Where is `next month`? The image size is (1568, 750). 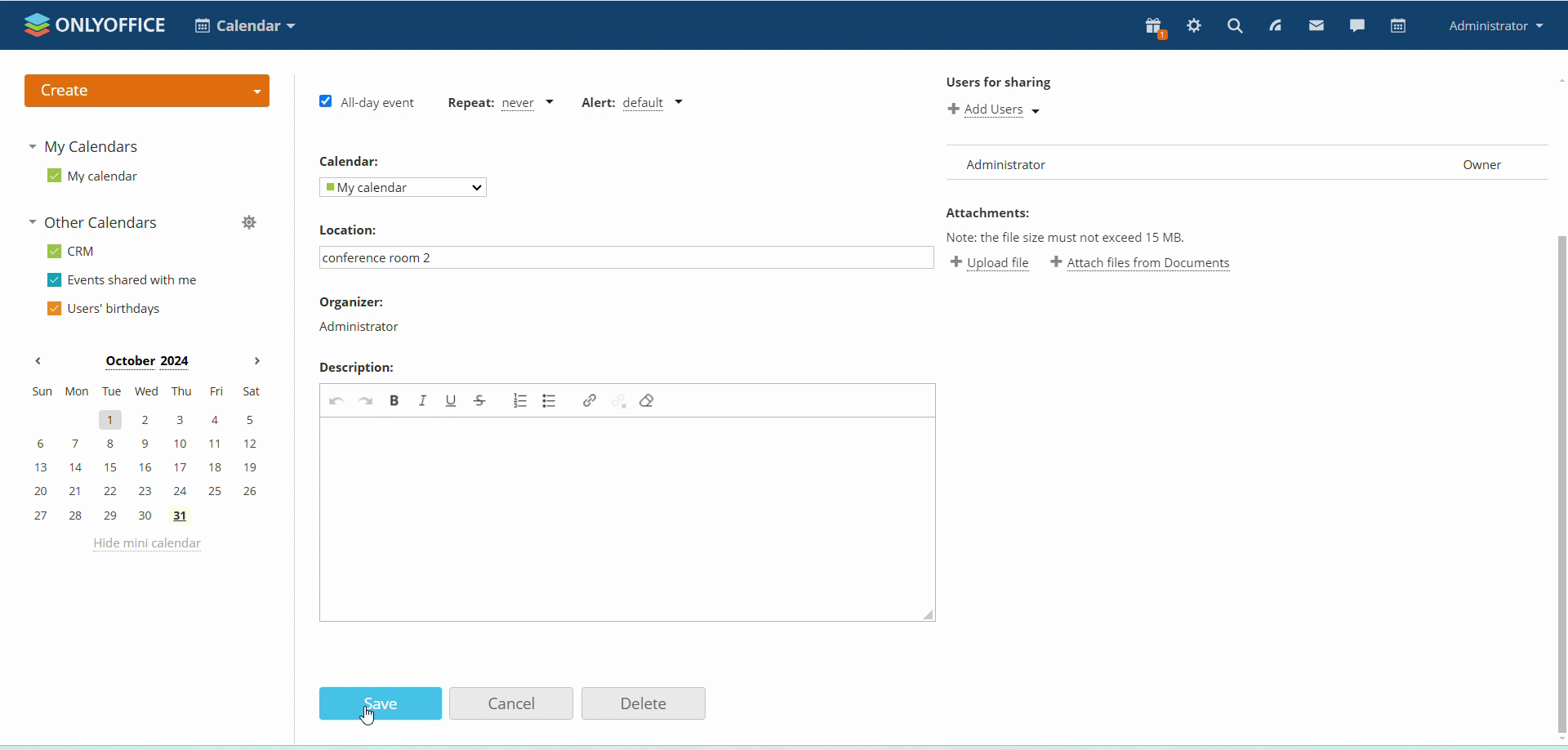
next month is located at coordinates (256, 362).